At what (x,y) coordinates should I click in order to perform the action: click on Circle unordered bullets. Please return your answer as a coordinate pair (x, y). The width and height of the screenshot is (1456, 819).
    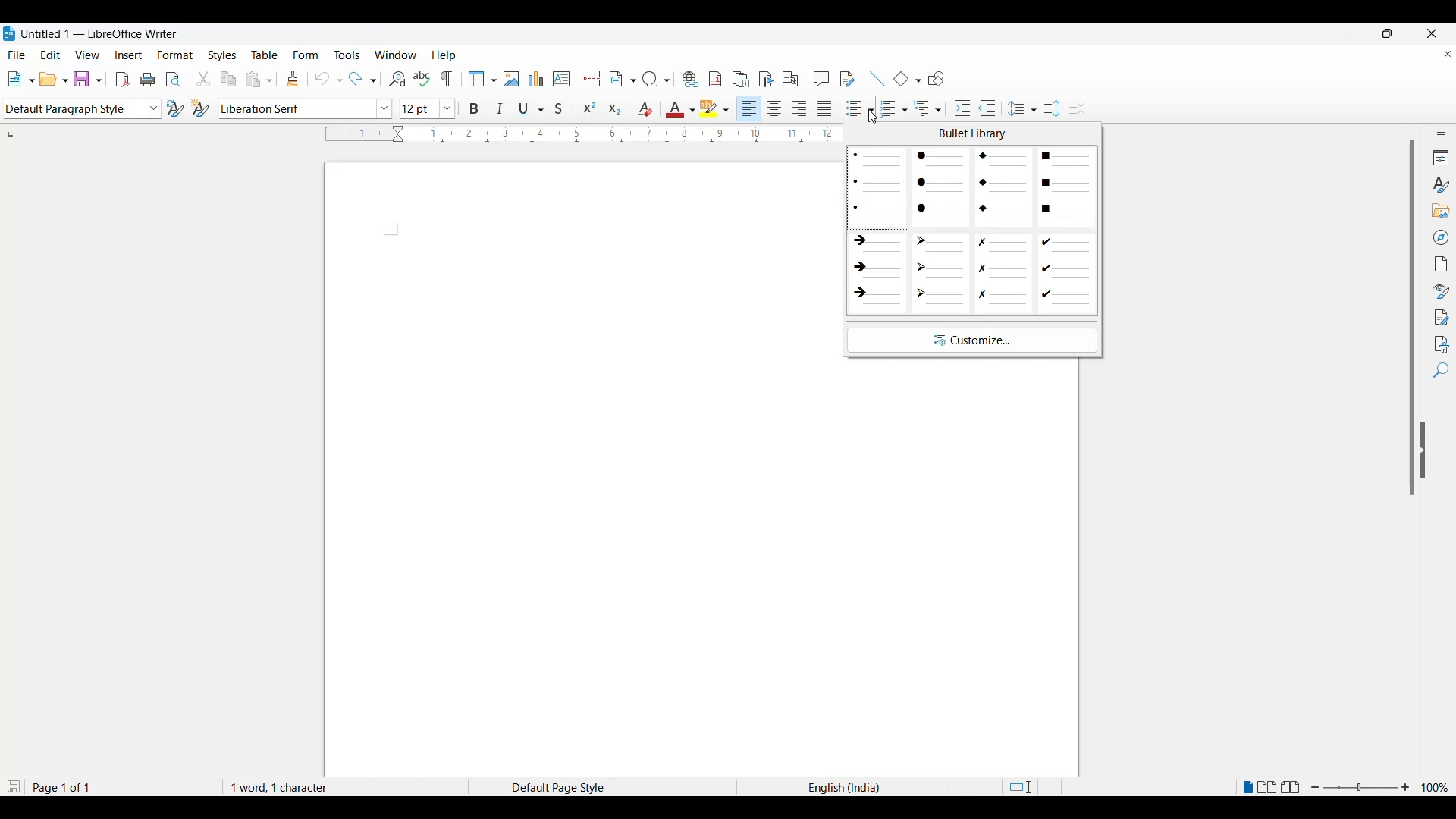
    Looking at the image, I should click on (940, 187).